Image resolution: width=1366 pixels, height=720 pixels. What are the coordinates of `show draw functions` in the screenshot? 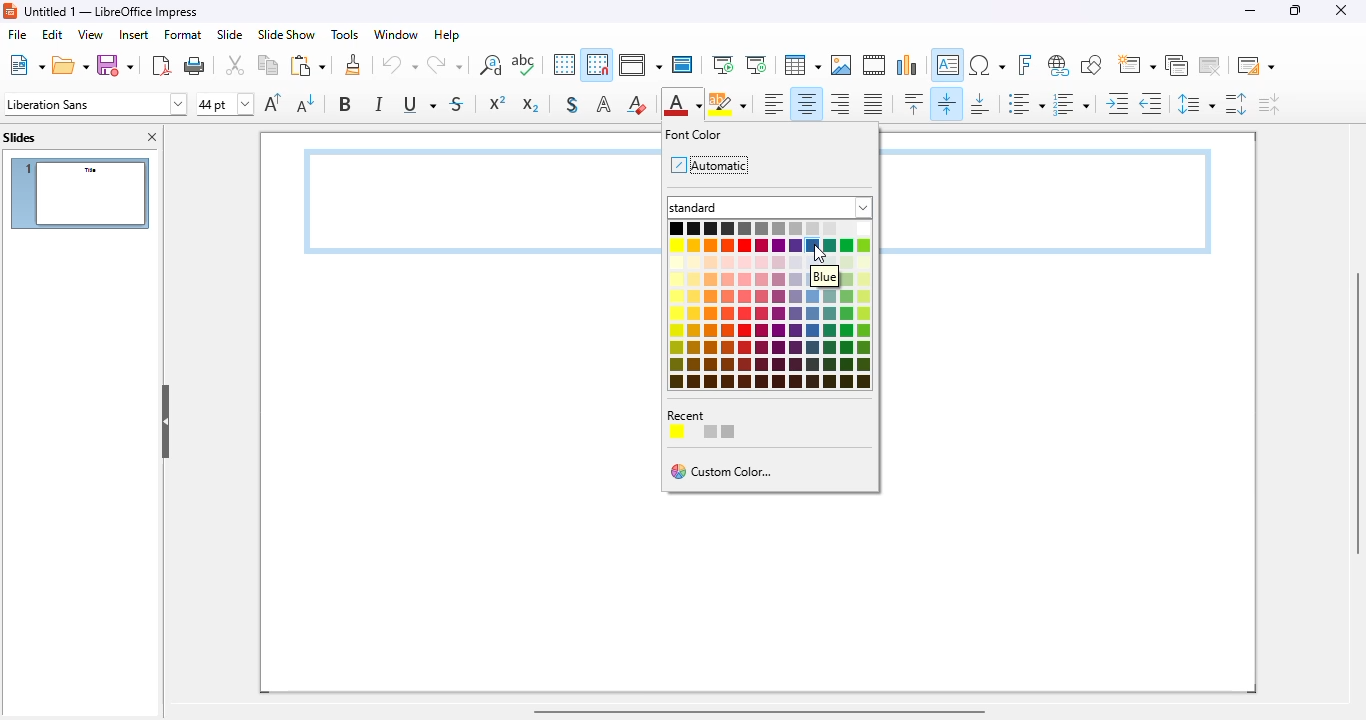 It's located at (1092, 65).